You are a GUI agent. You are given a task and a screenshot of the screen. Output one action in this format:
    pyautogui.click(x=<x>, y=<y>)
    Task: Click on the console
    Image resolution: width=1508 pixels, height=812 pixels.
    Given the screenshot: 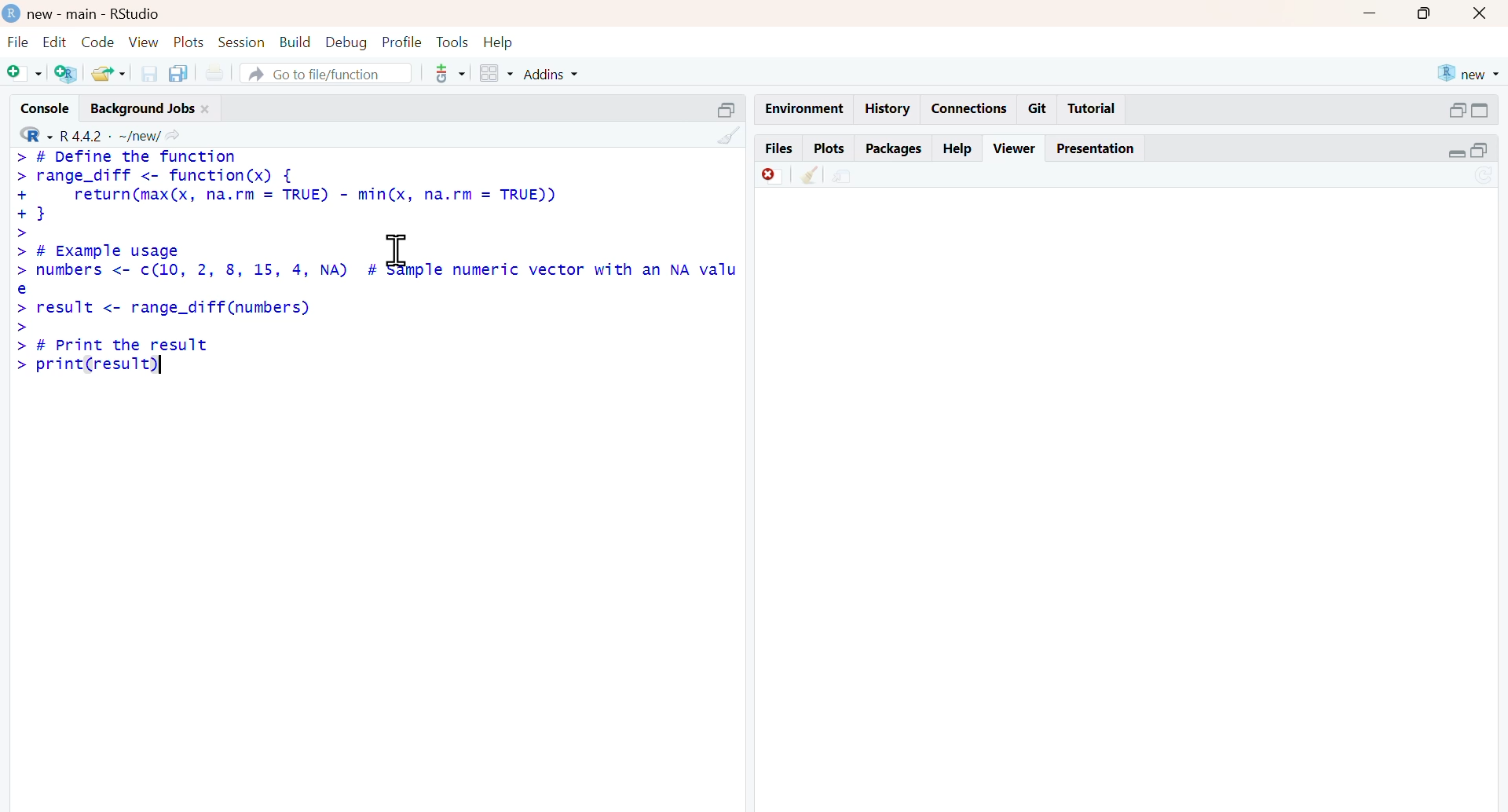 What is the action you would take?
    pyautogui.click(x=49, y=108)
    